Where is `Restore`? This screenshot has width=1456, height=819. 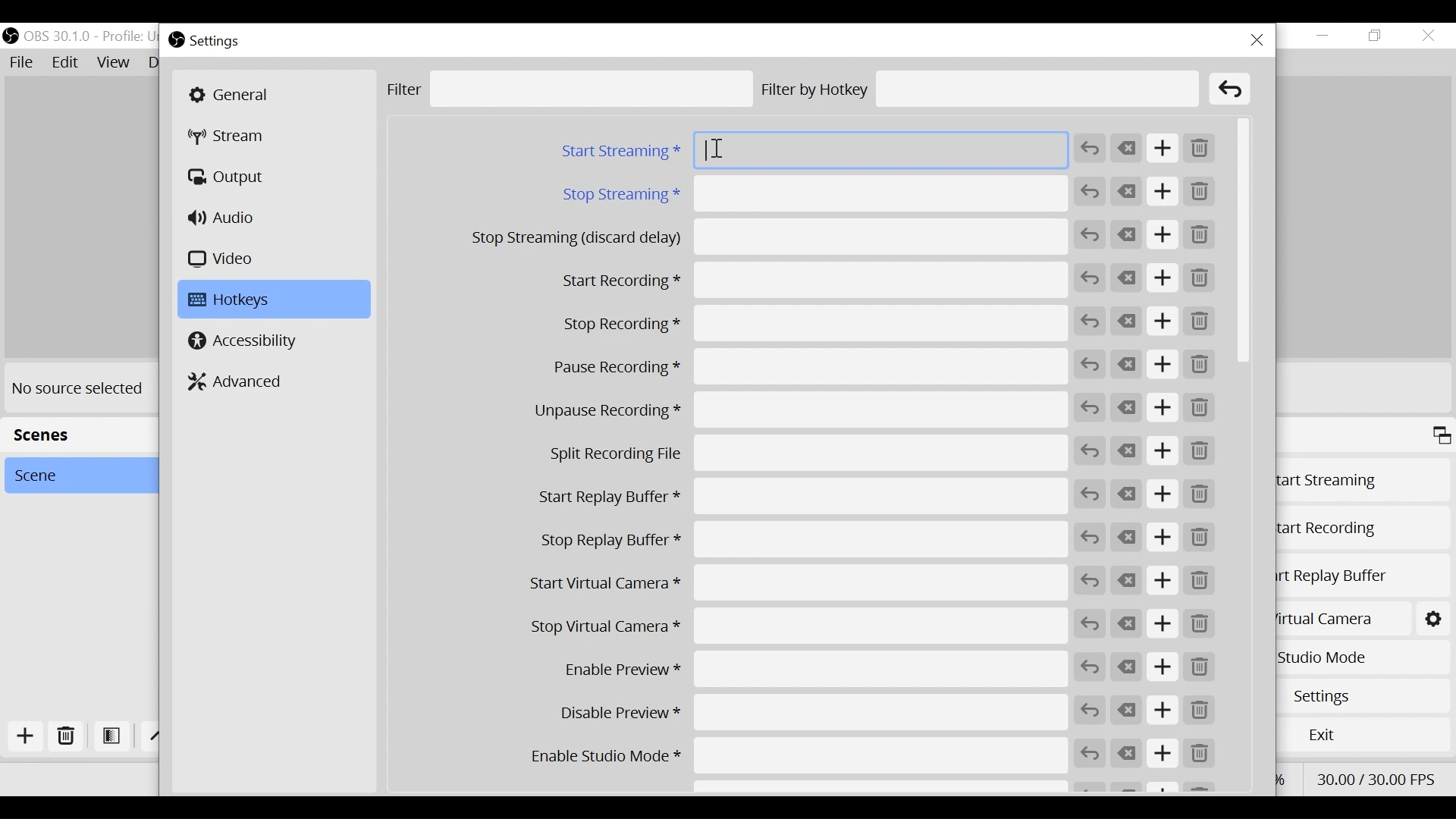
Restore is located at coordinates (1376, 36).